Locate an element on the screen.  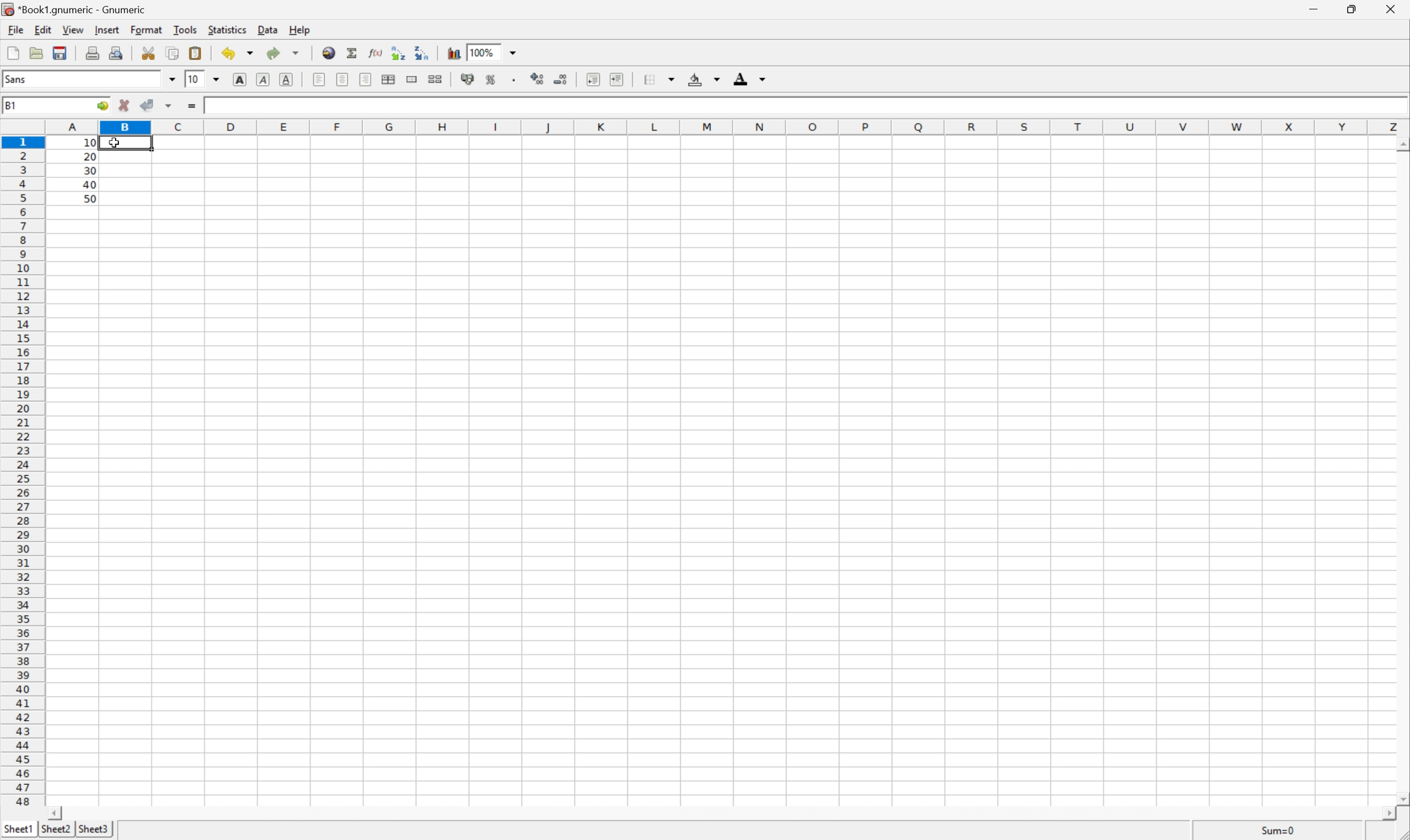
Drop Down is located at coordinates (215, 80).